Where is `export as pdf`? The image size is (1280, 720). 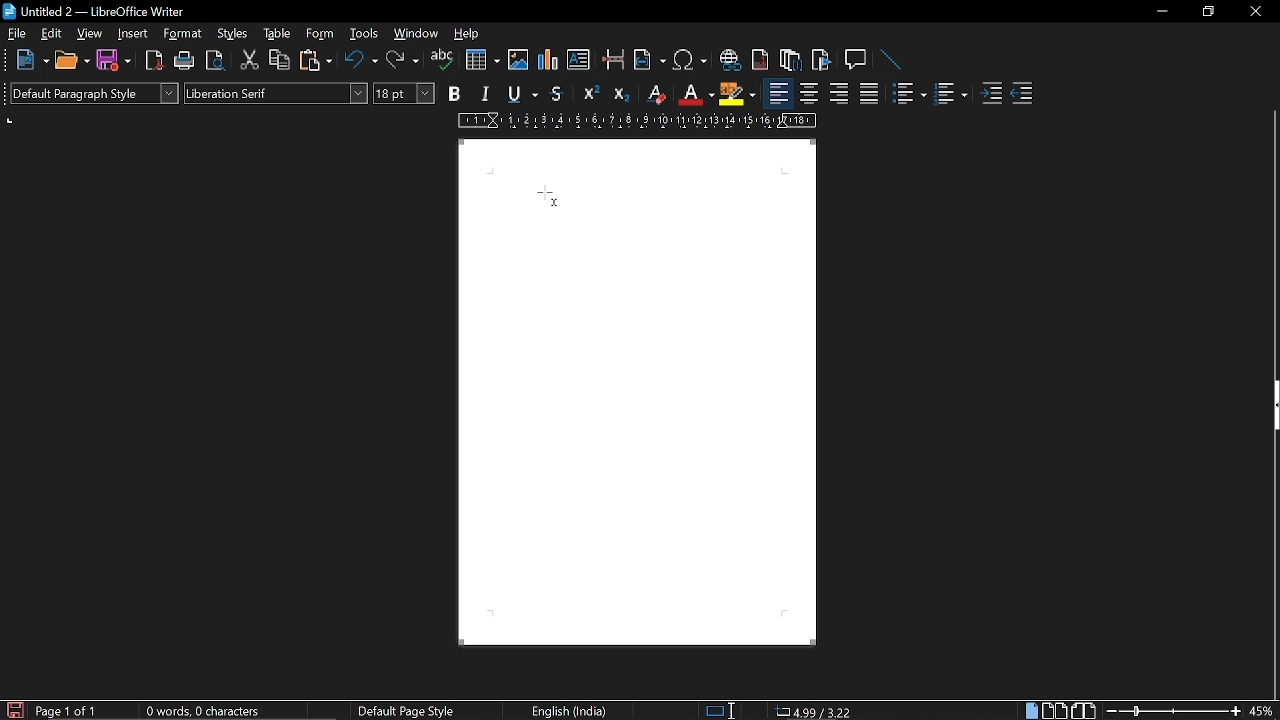
export as pdf is located at coordinates (153, 60).